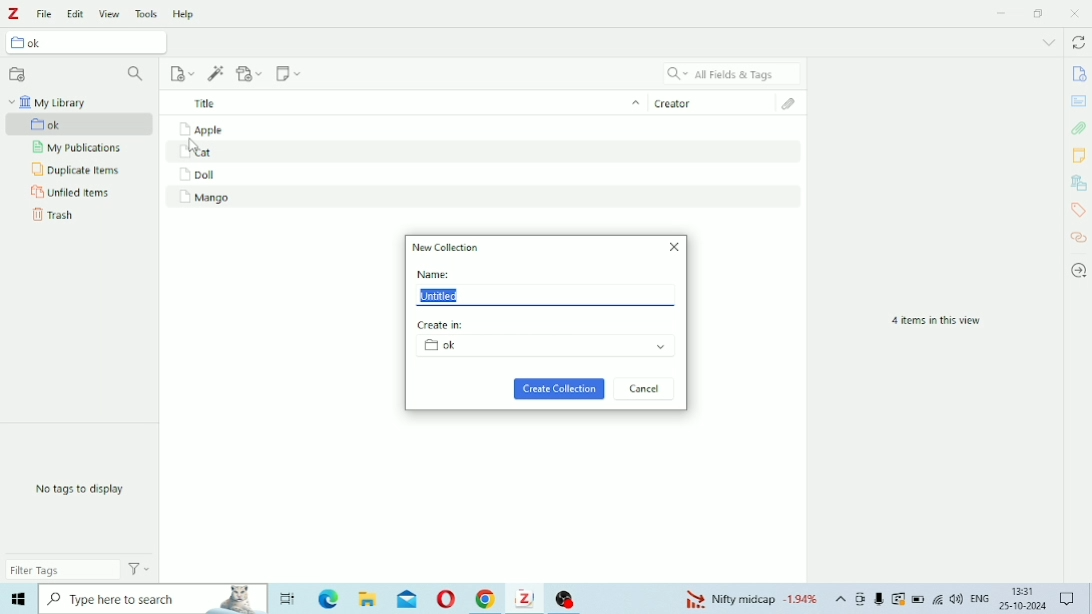 The height and width of the screenshot is (614, 1092). I want to click on Name:, so click(435, 274).